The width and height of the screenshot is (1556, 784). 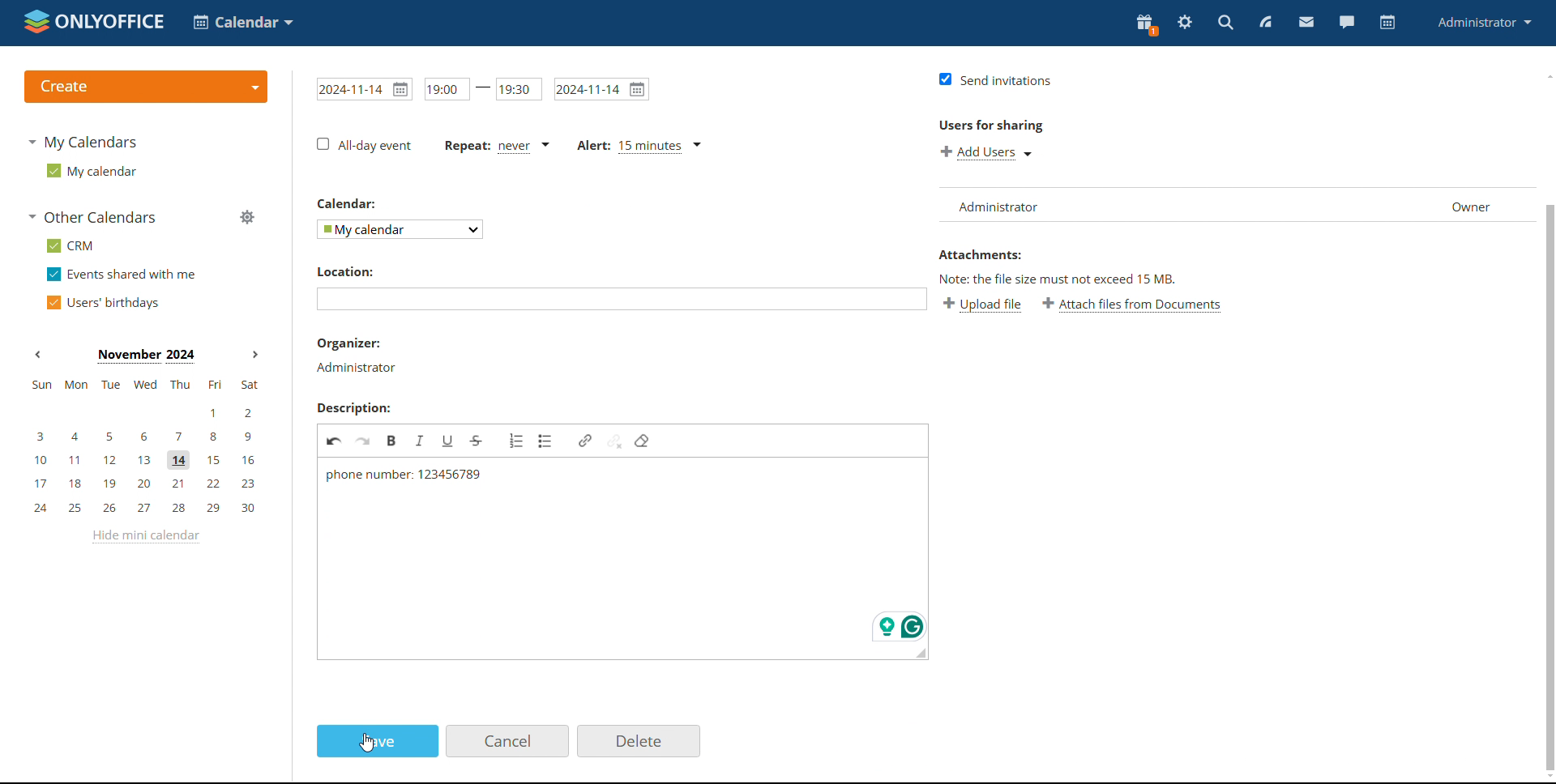 I want to click on undo, so click(x=332, y=440).